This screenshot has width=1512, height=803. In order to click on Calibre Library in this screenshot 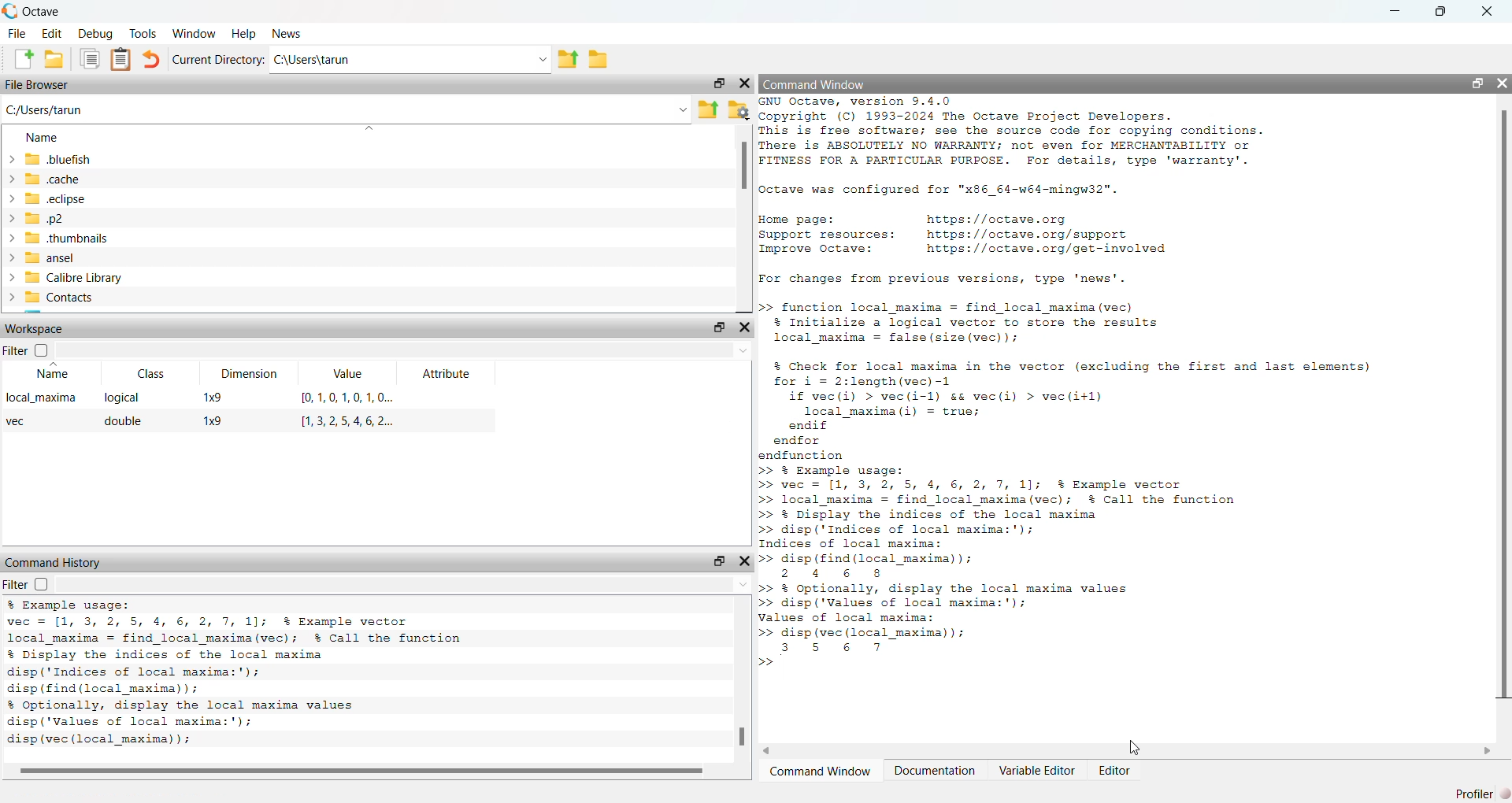, I will do `click(74, 278)`.